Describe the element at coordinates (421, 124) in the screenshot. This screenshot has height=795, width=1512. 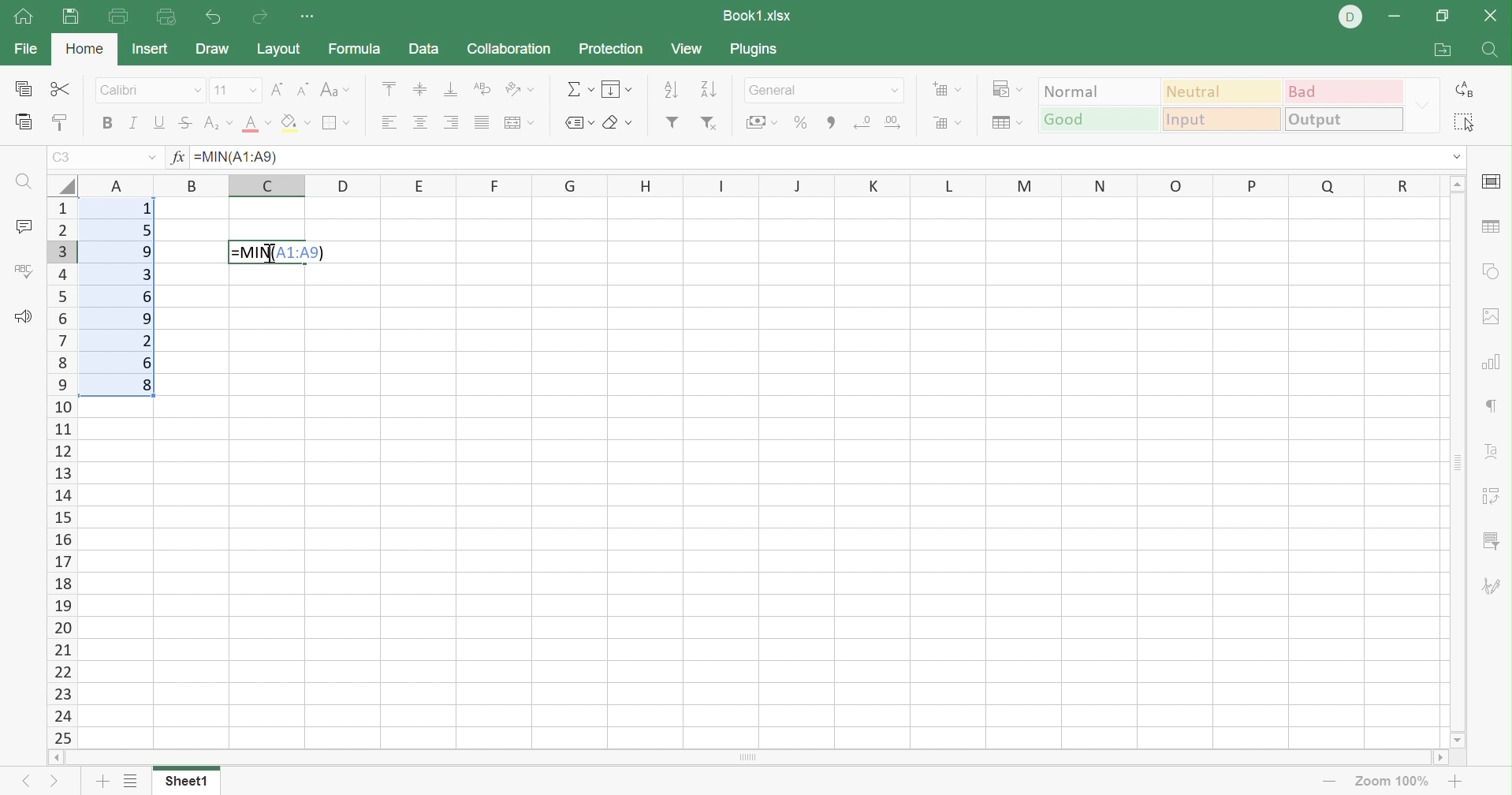
I see `Align center` at that location.